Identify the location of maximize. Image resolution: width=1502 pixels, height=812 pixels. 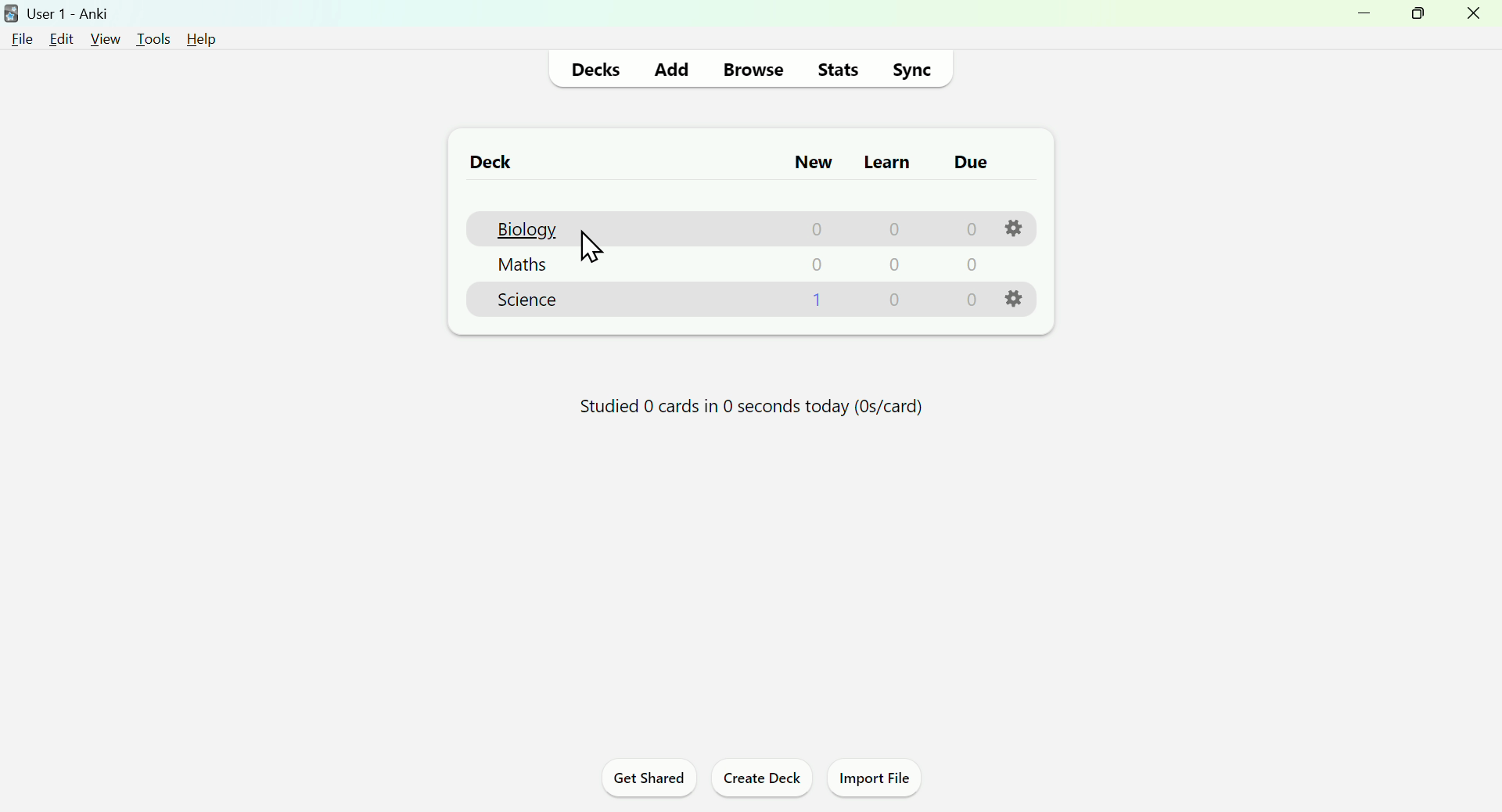
(1416, 14).